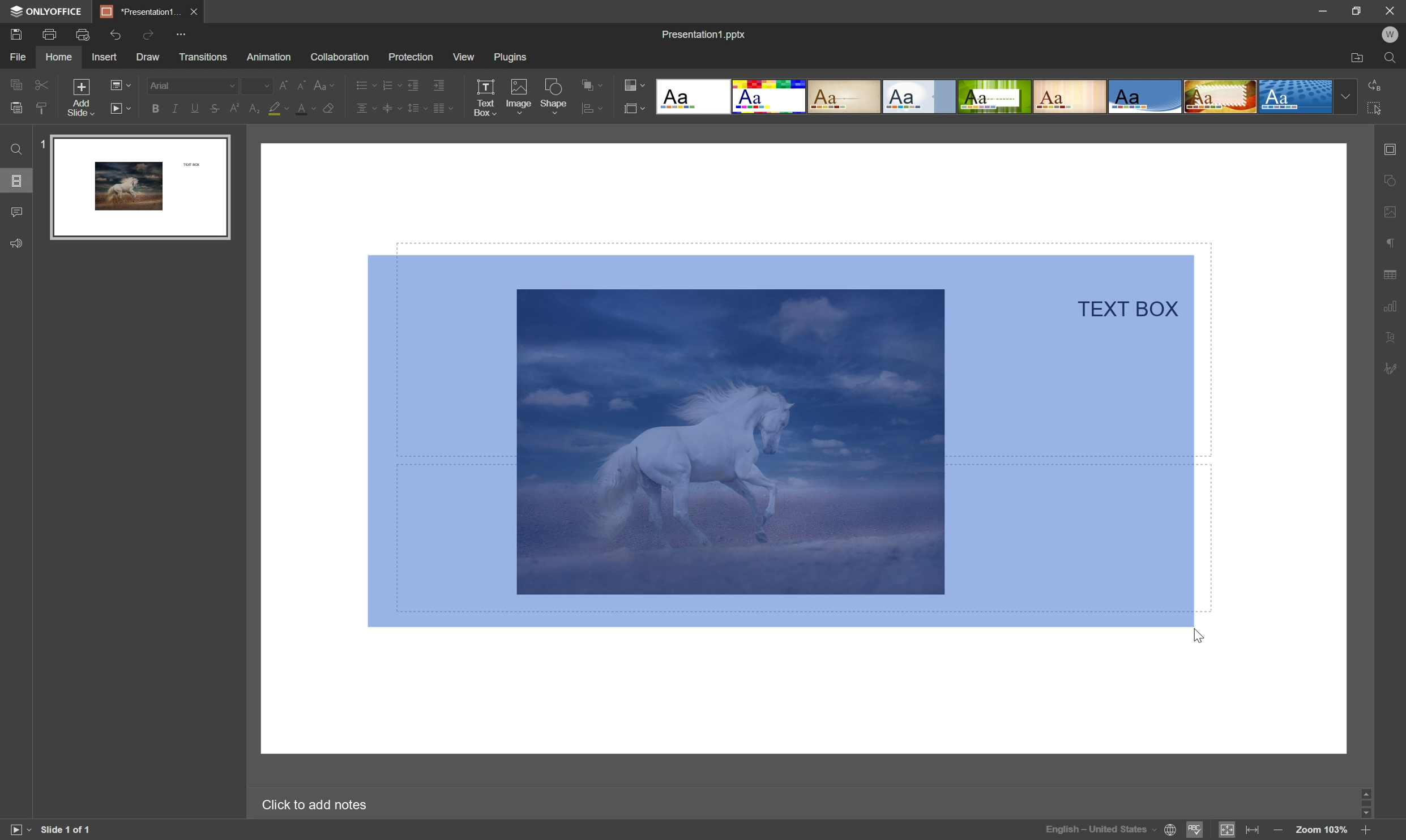 This screenshot has height=840, width=1406. Describe the element at coordinates (995, 97) in the screenshot. I see `Green Leaf` at that location.